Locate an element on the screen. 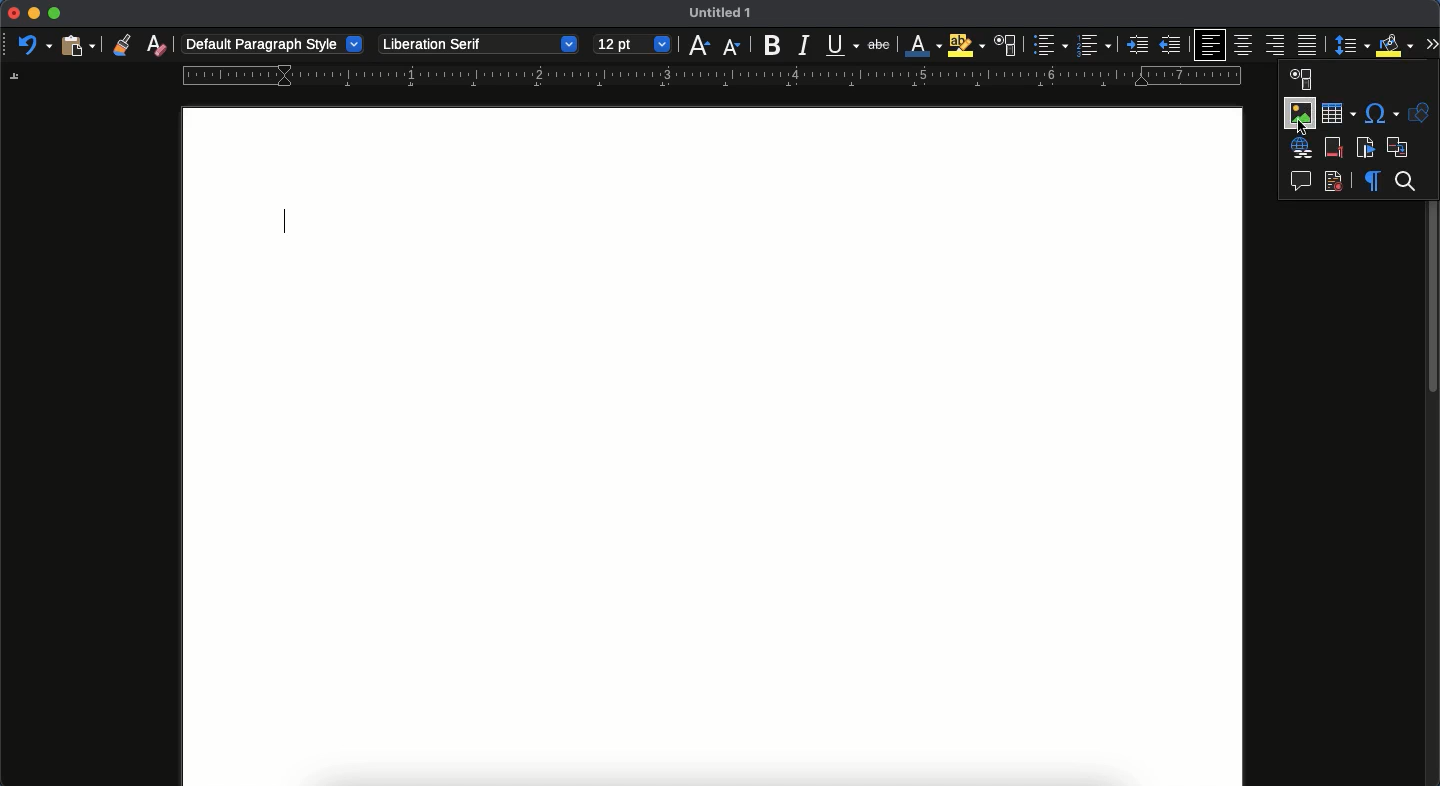  minimize  is located at coordinates (34, 13).